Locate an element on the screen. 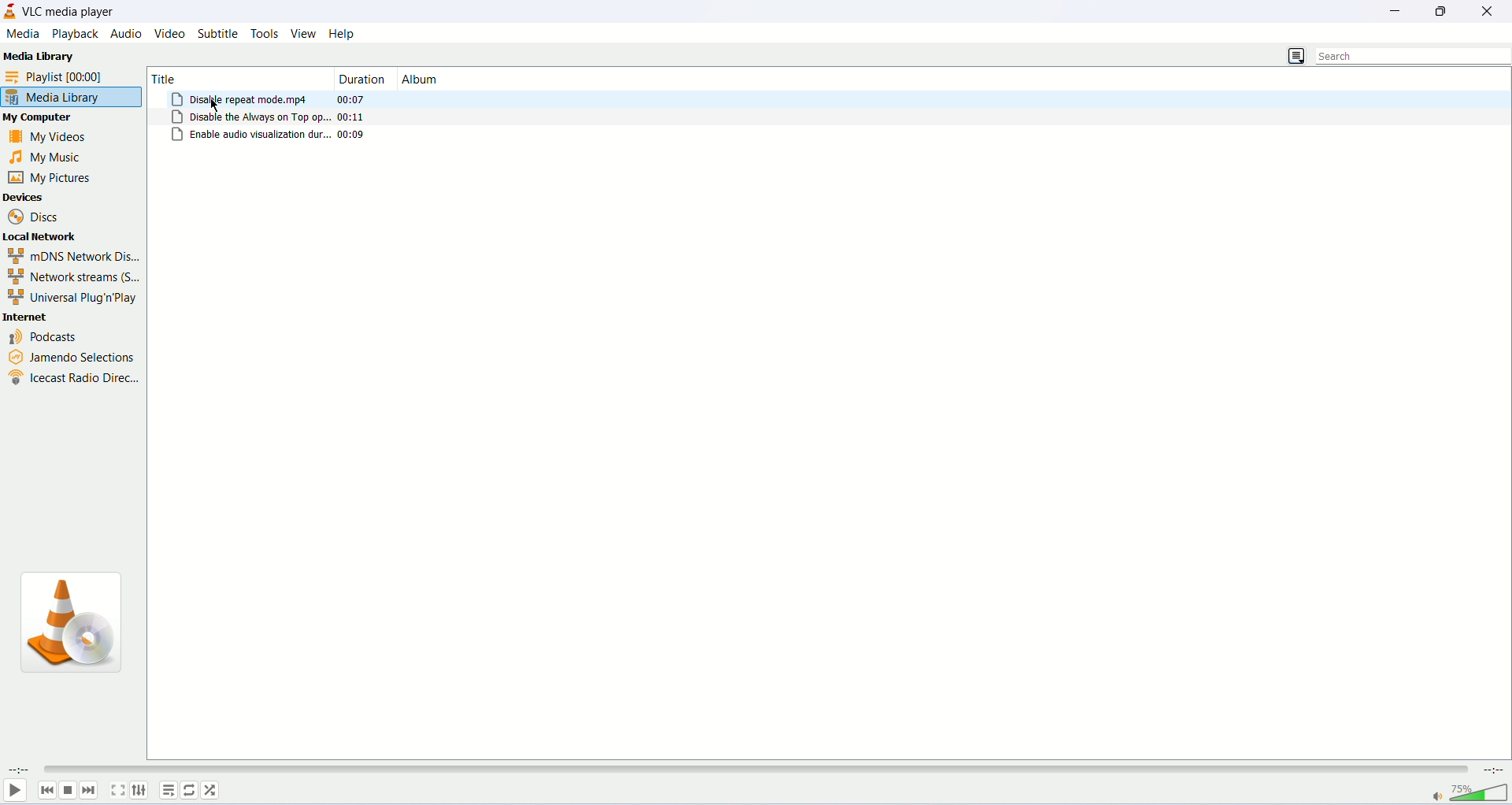  video is located at coordinates (172, 34).